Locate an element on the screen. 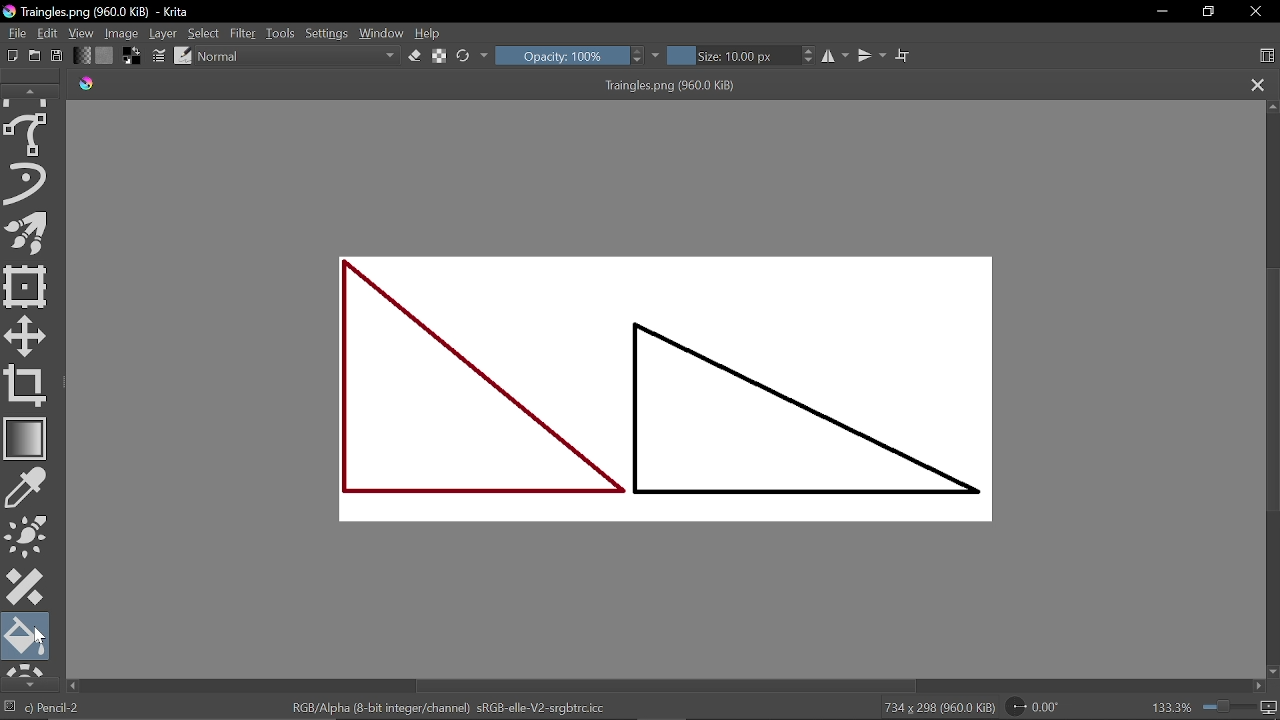 The image size is (1280, 720). Opacity: 100% is located at coordinates (570, 57).